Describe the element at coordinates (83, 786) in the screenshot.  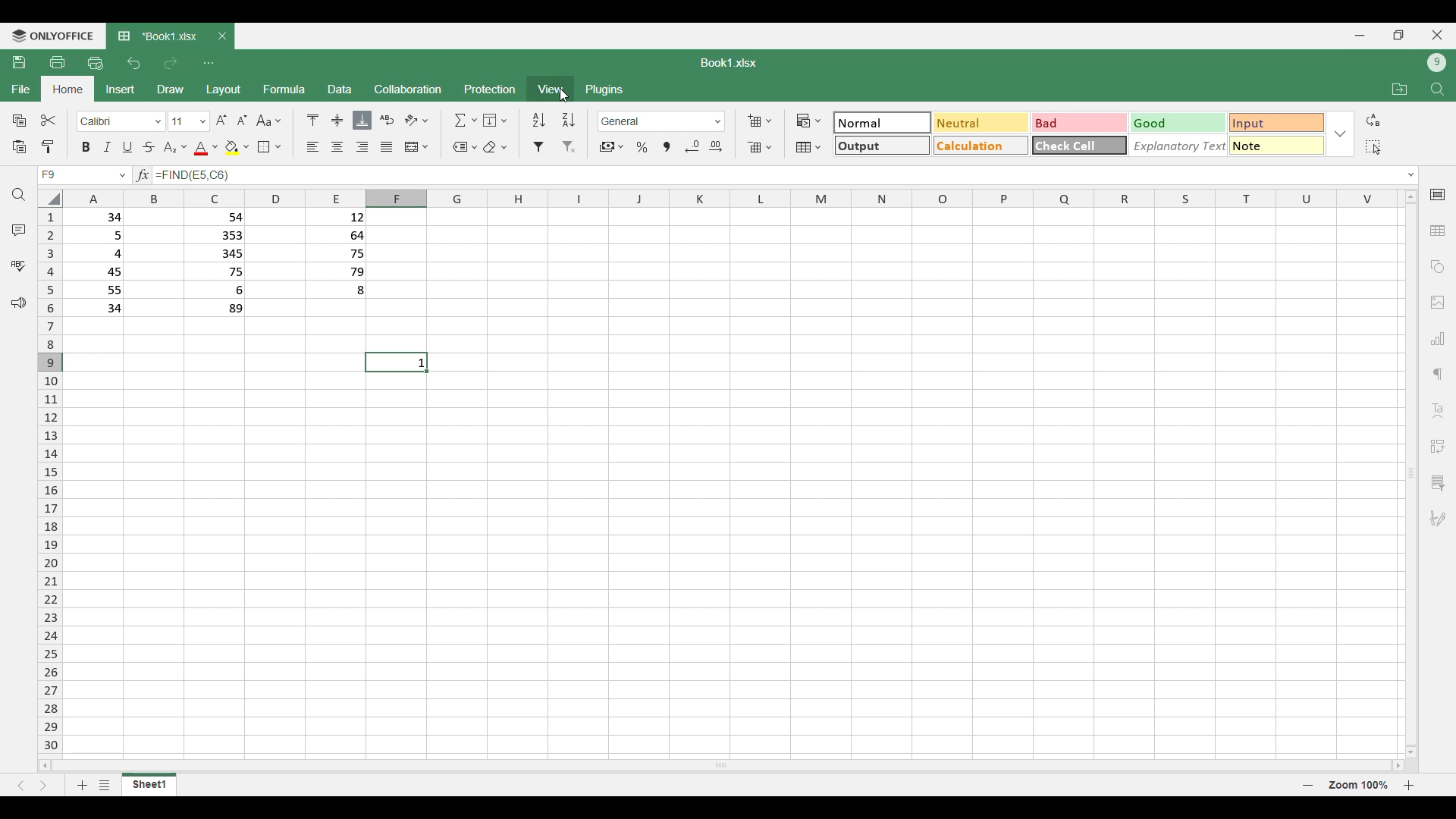
I see `Add sheet` at that location.